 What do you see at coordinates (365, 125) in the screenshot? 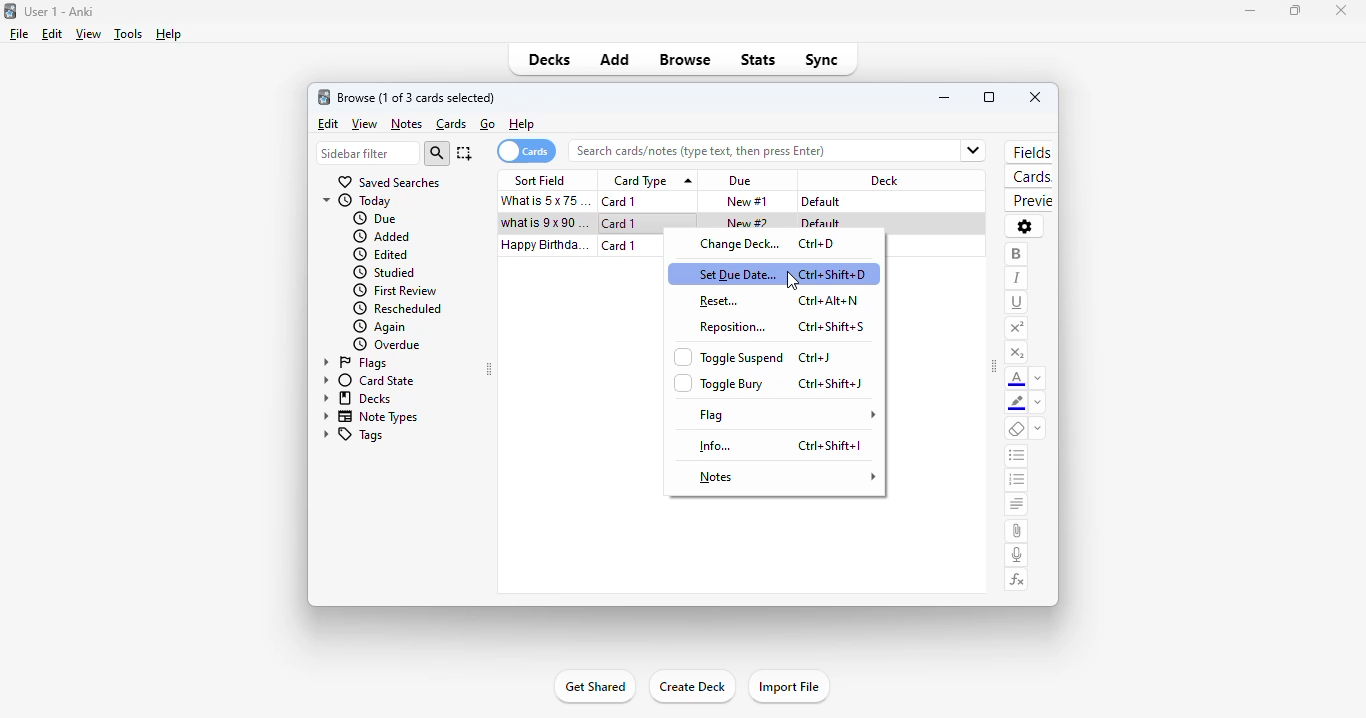
I see `view` at bounding box center [365, 125].